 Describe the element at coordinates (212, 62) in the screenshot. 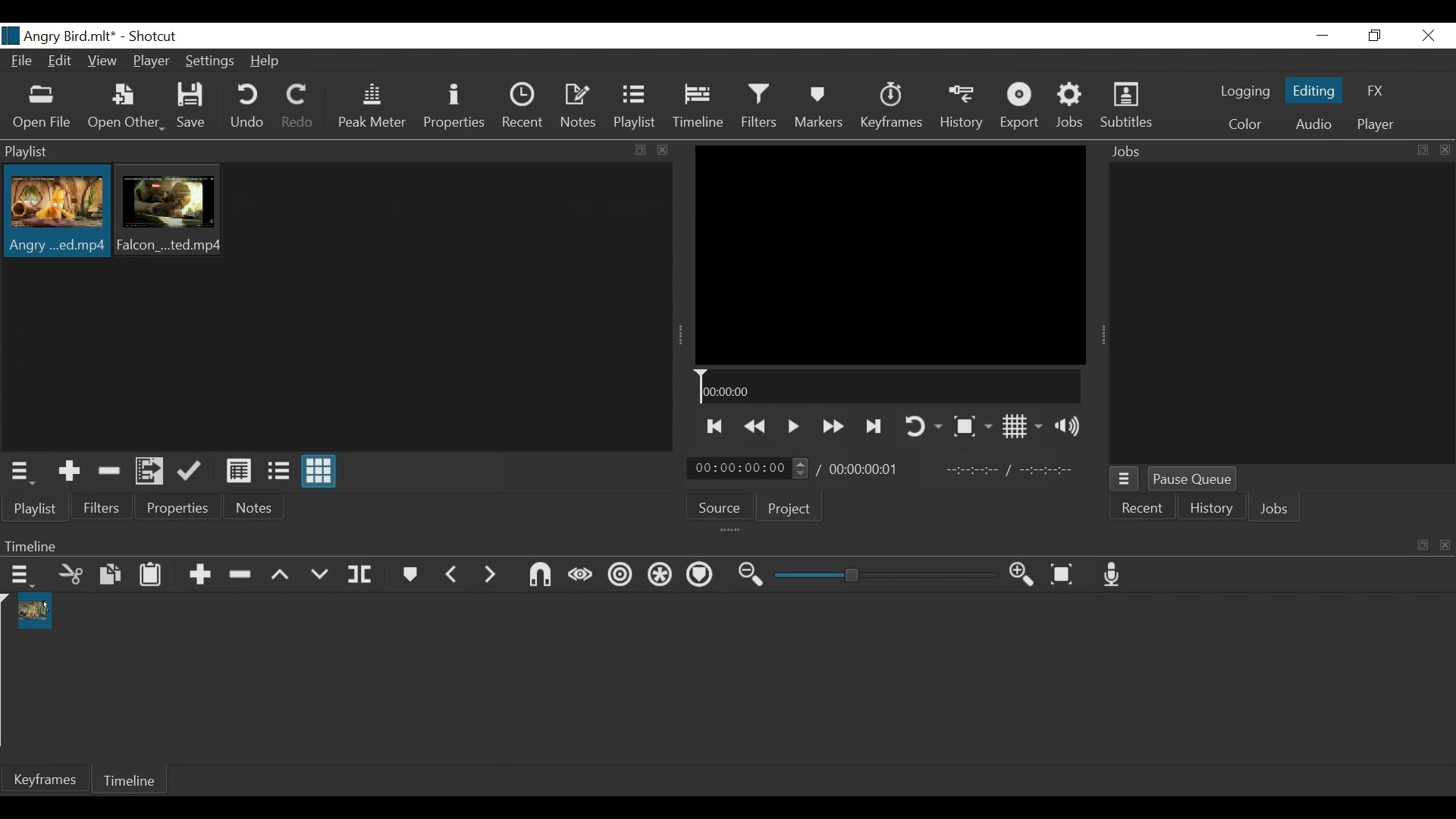

I see `Settings` at that location.